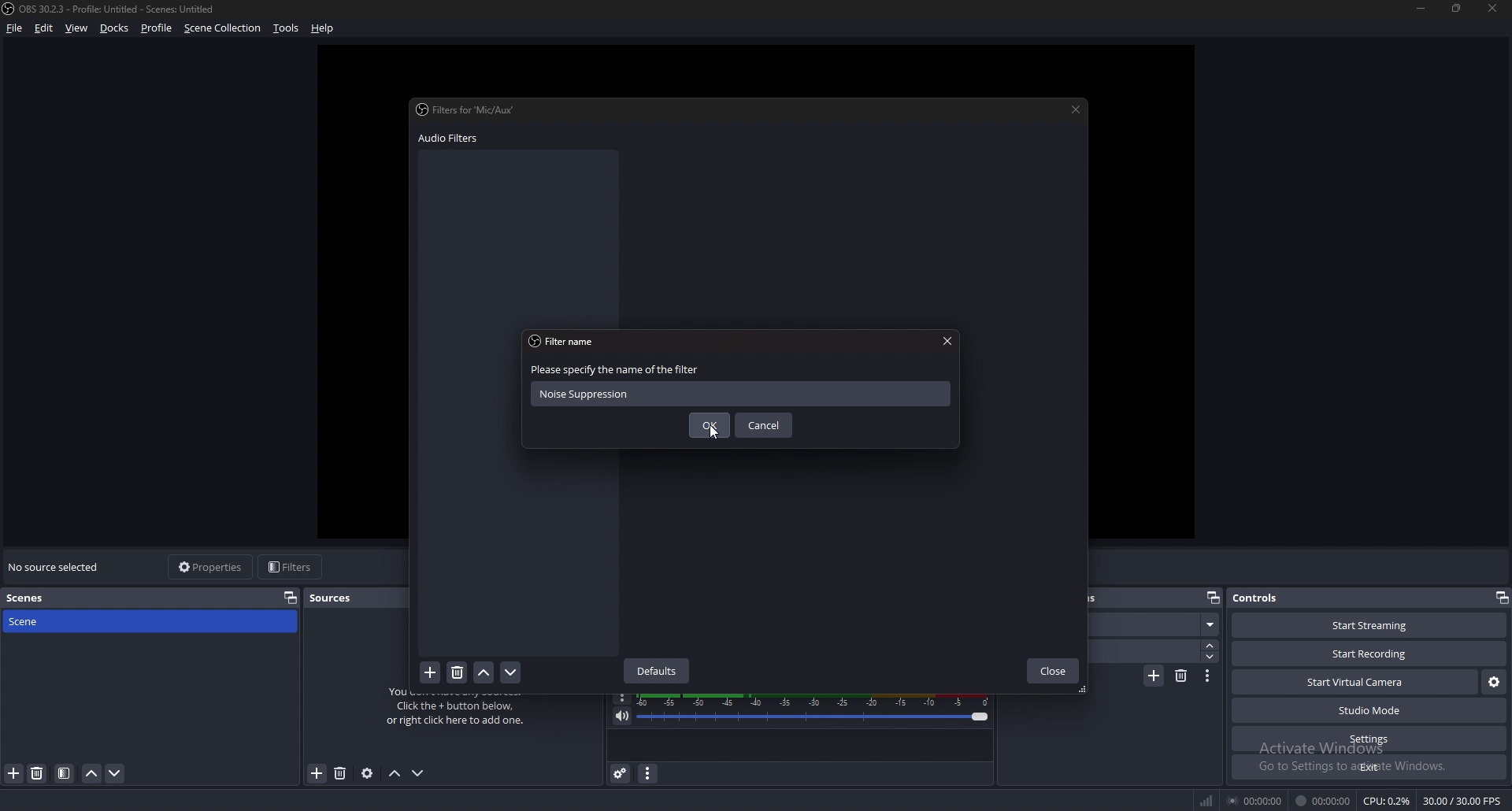  Describe the element at coordinates (157, 29) in the screenshot. I see `profile` at that location.